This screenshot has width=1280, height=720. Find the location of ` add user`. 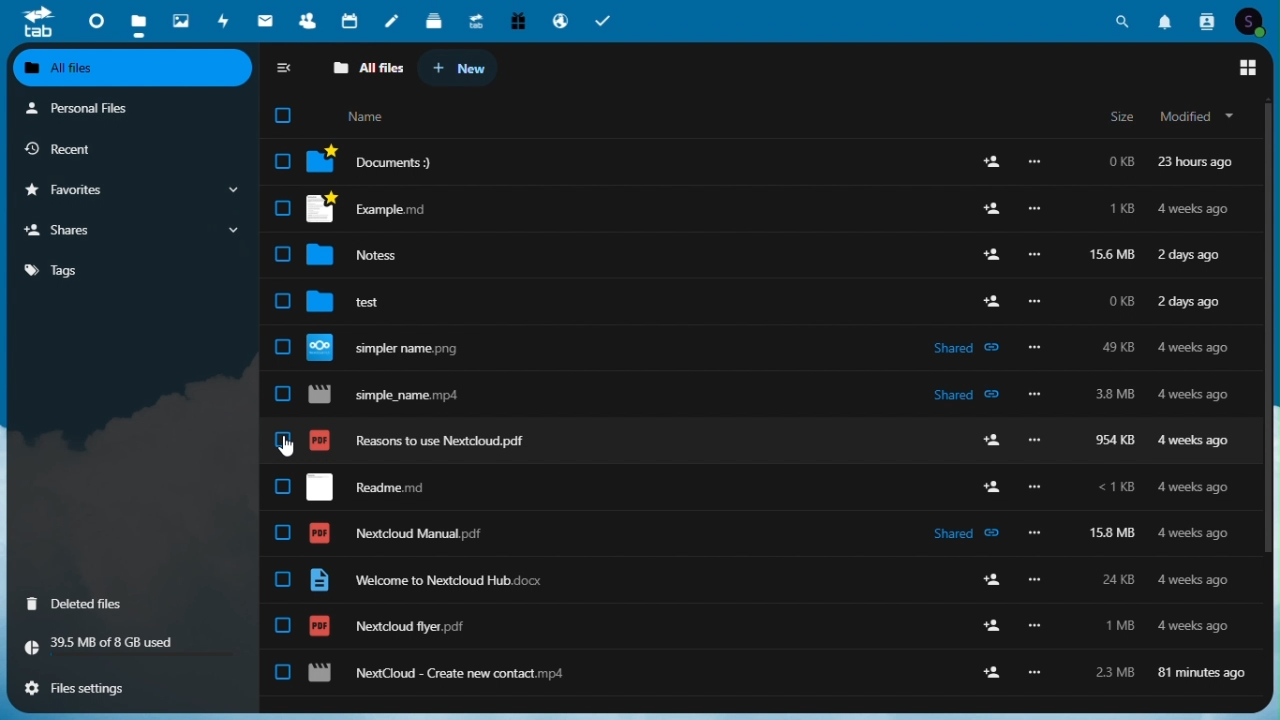

 add user is located at coordinates (990, 161).